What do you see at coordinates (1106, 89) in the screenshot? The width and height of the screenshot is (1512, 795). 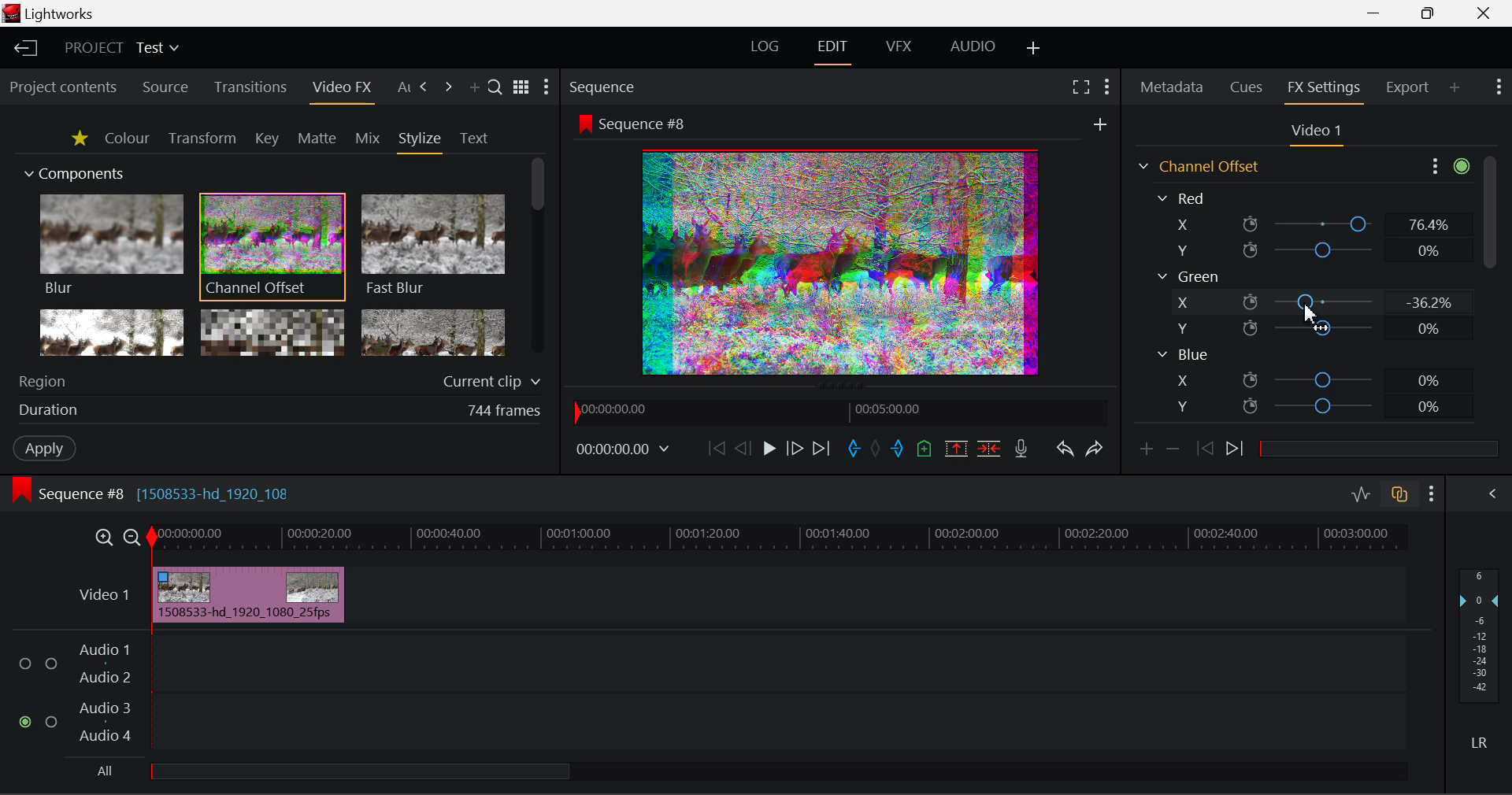 I see `Show Settings` at bounding box center [1106, 89].